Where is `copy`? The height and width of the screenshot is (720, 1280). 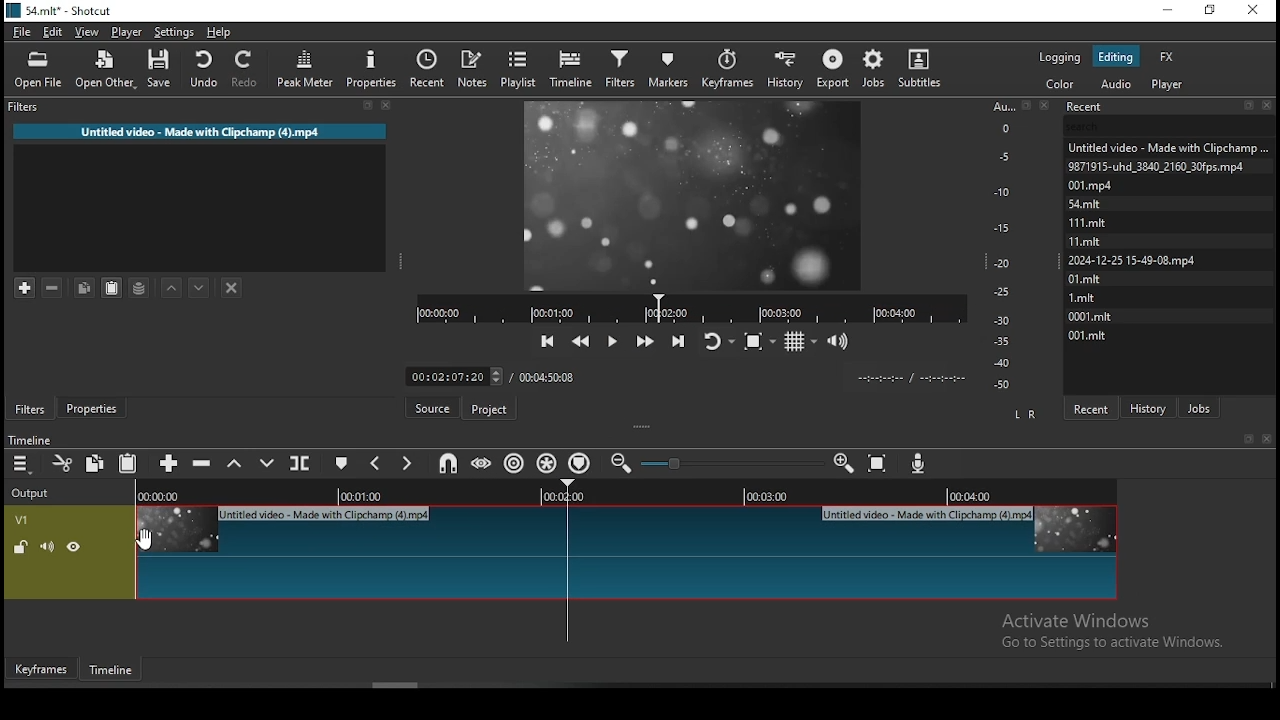
copy is located at coordinates (94, 462).